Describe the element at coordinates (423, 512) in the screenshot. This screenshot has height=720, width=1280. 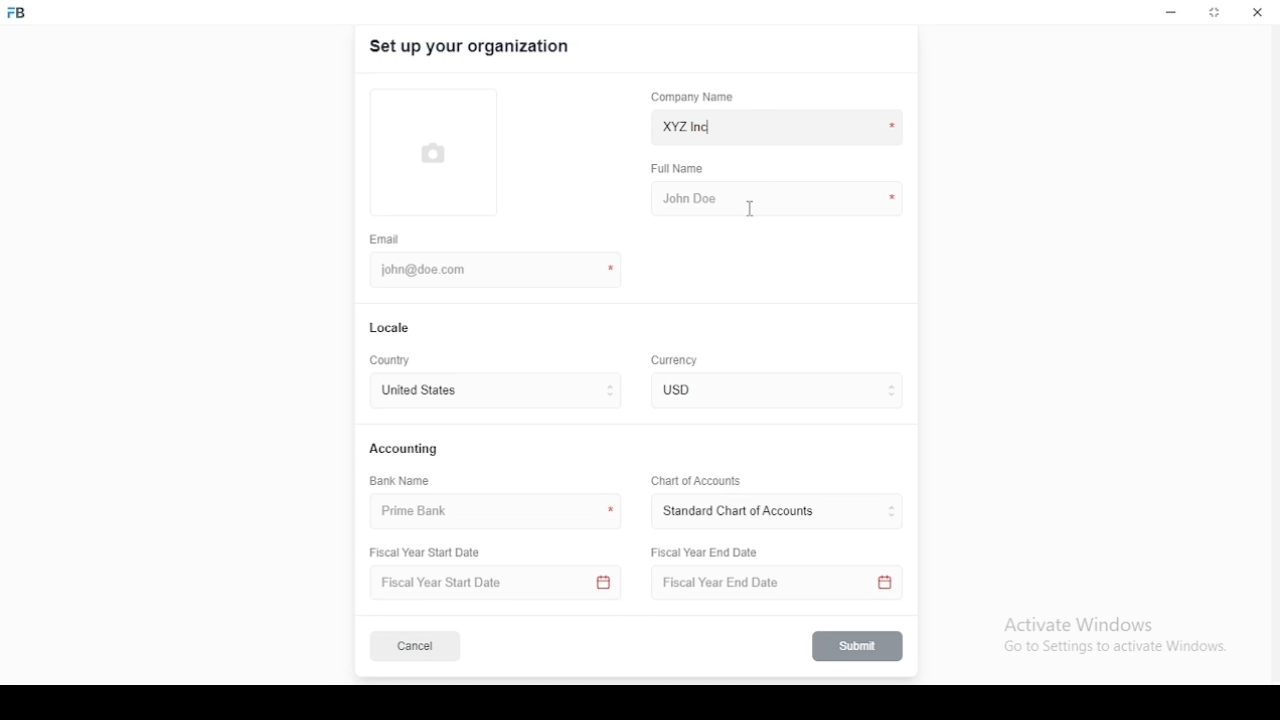
I see `prime bank` at that location.